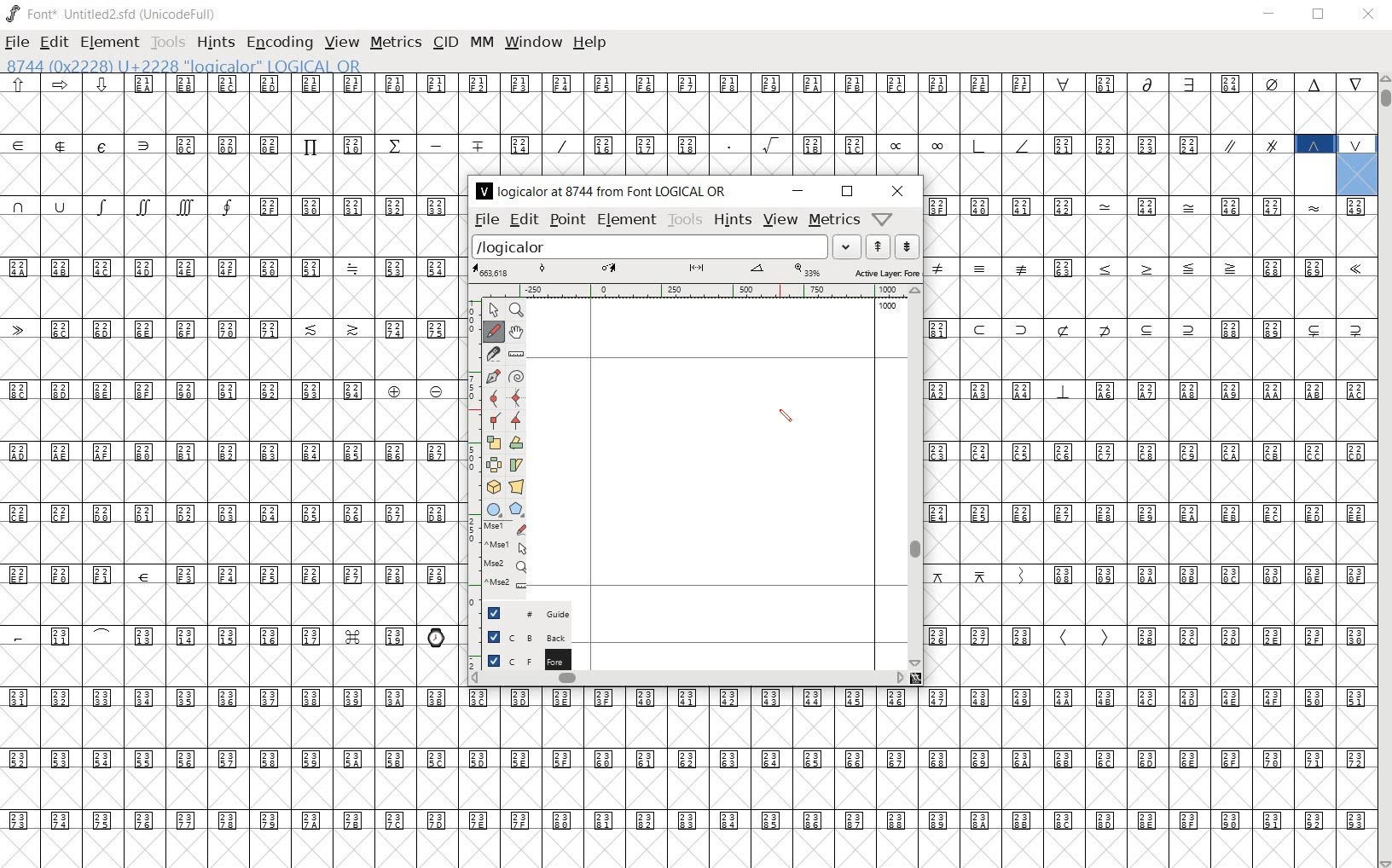 This screenshot has width=1392, height=868. Describe the element at coordinates (684, 222) in the screenshot. I see `tools` at that location.